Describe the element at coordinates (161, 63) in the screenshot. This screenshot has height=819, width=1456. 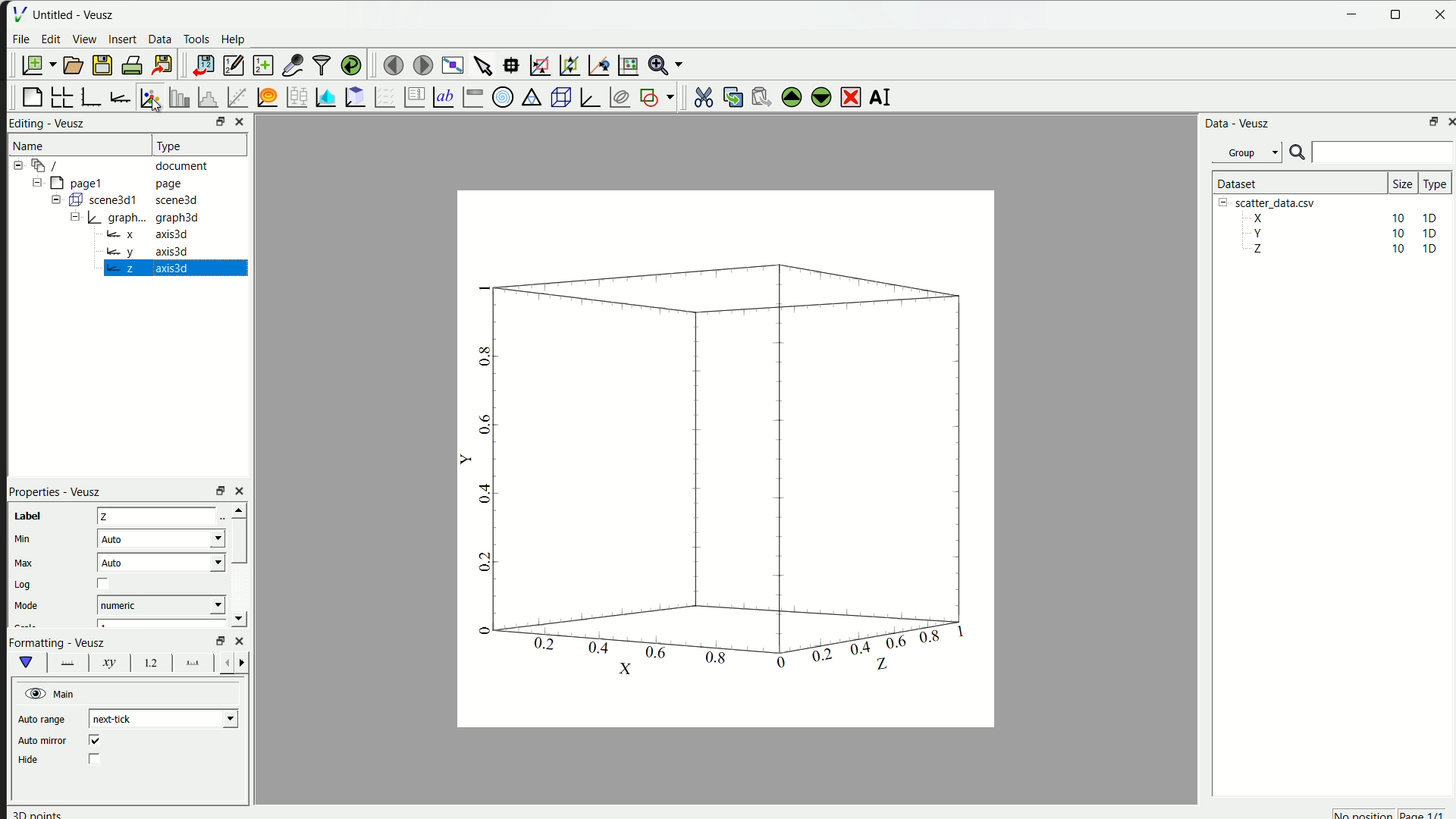
I see `export to graphics format` at that location.